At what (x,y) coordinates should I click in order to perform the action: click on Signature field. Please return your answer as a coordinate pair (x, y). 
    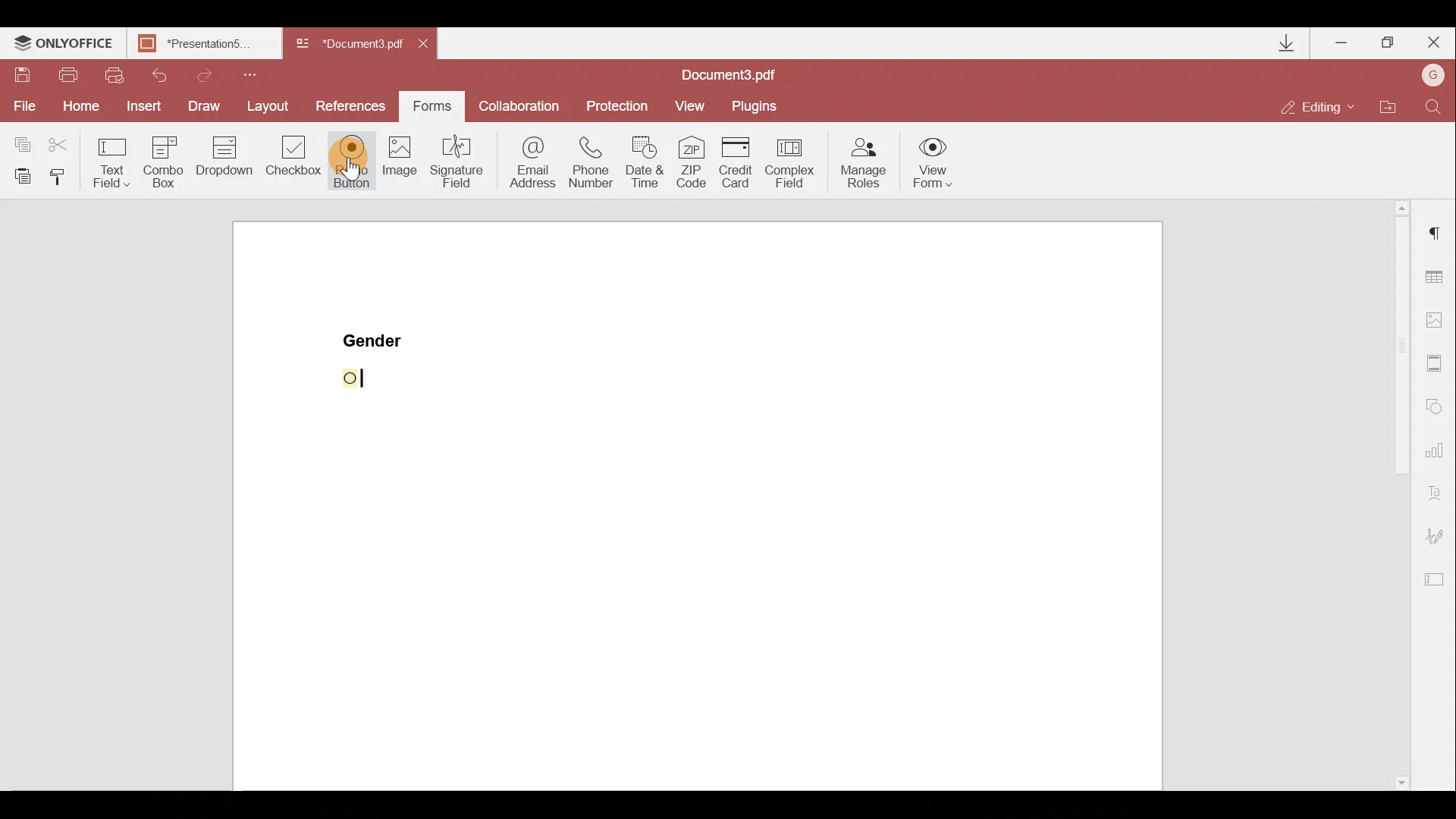
    Looking at the image, I should click on (461, 168).